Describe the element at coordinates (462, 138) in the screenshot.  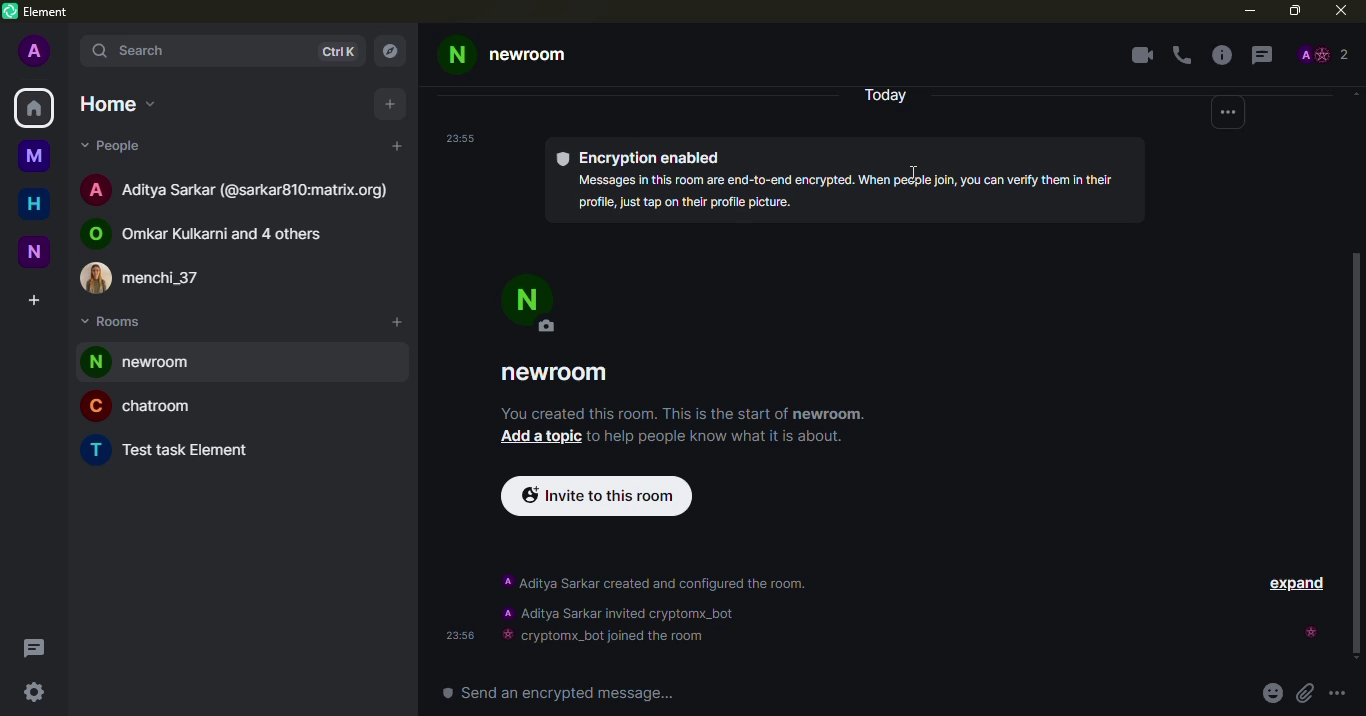
I see `time` at that location.